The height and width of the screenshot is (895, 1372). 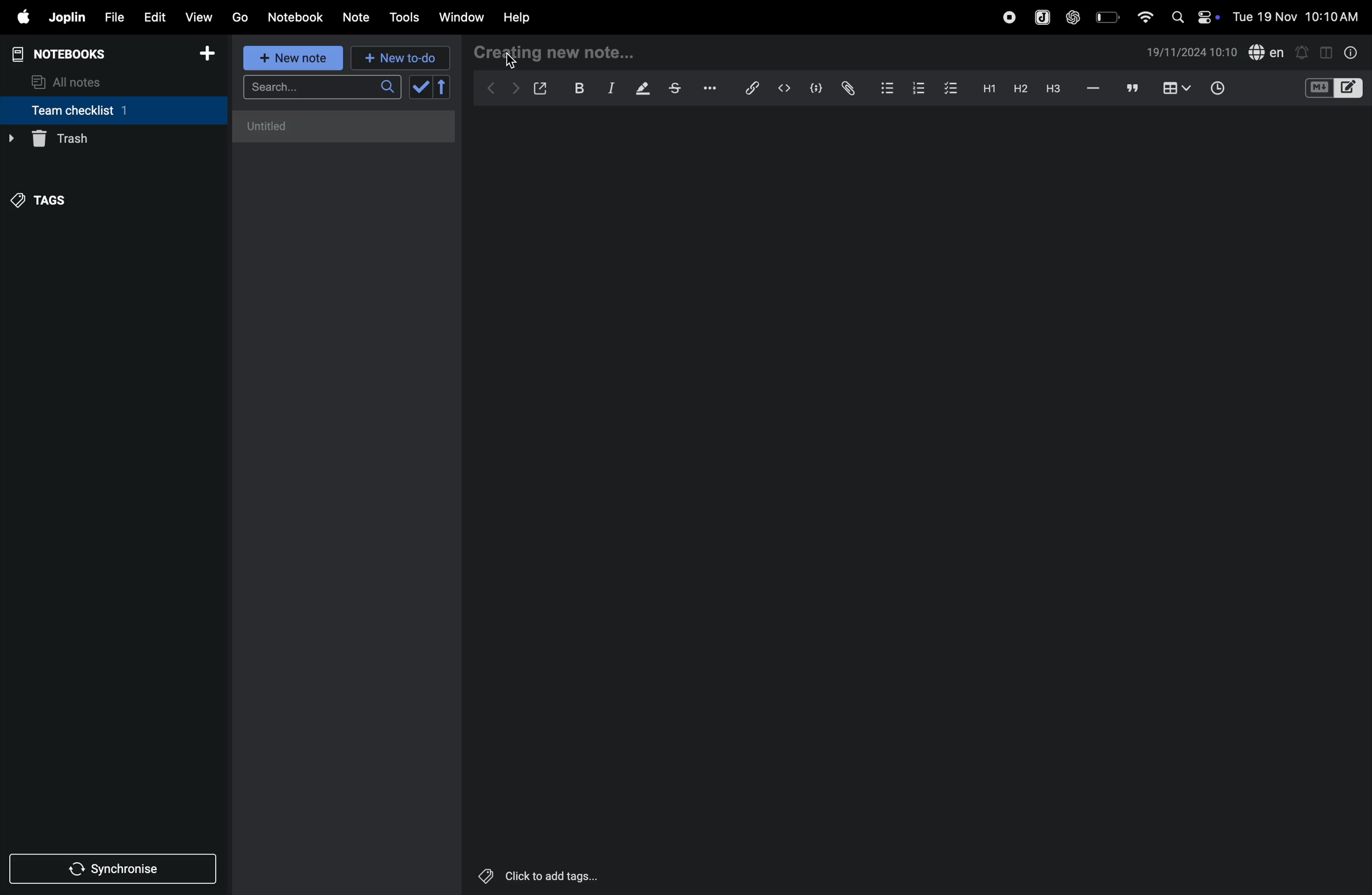 What do you see at coordinates (1350, 87) in the screenshot?
I see `editor layout` at bounding box center [1350, 87].